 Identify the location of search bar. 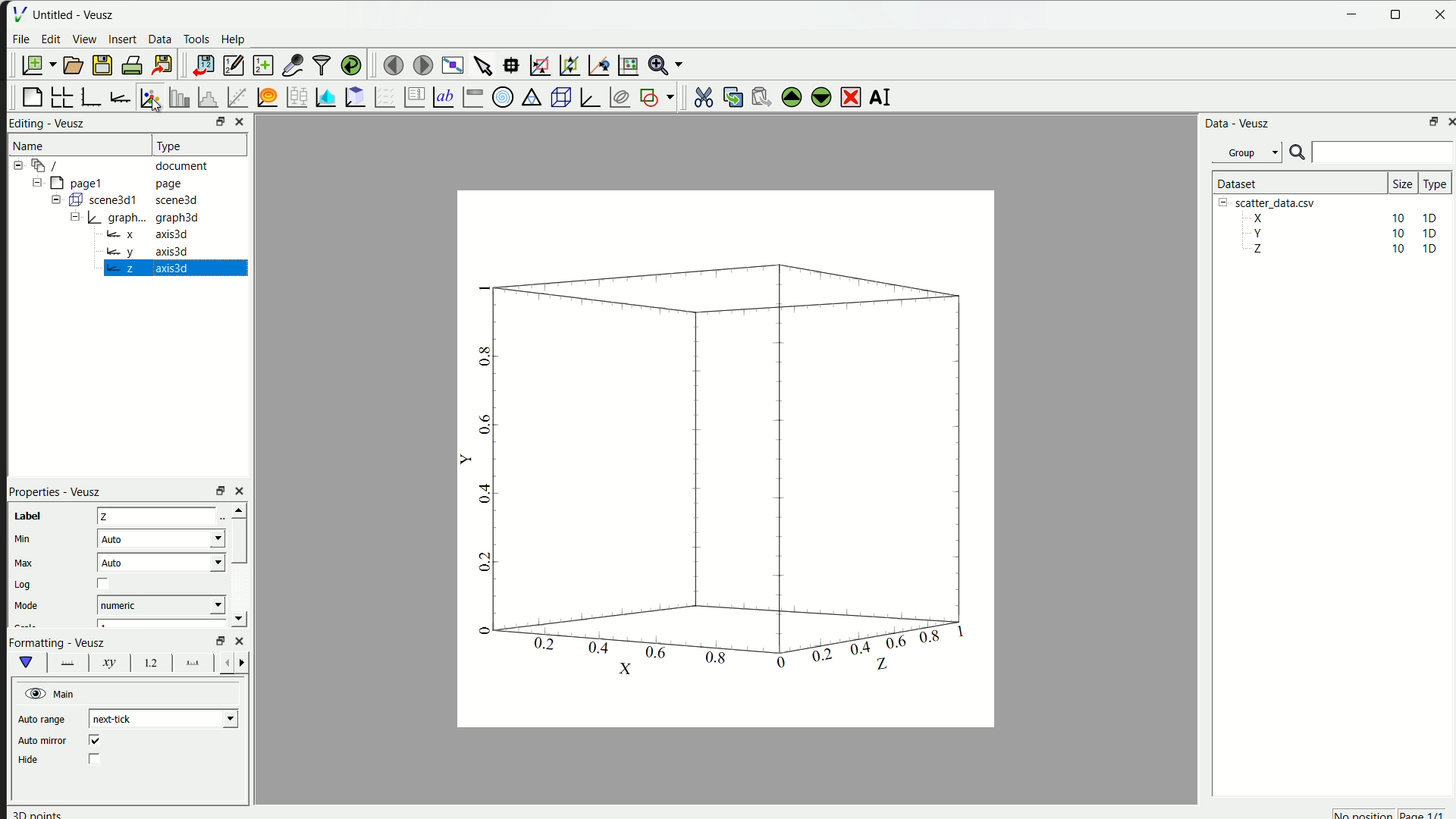
(1385, 152).